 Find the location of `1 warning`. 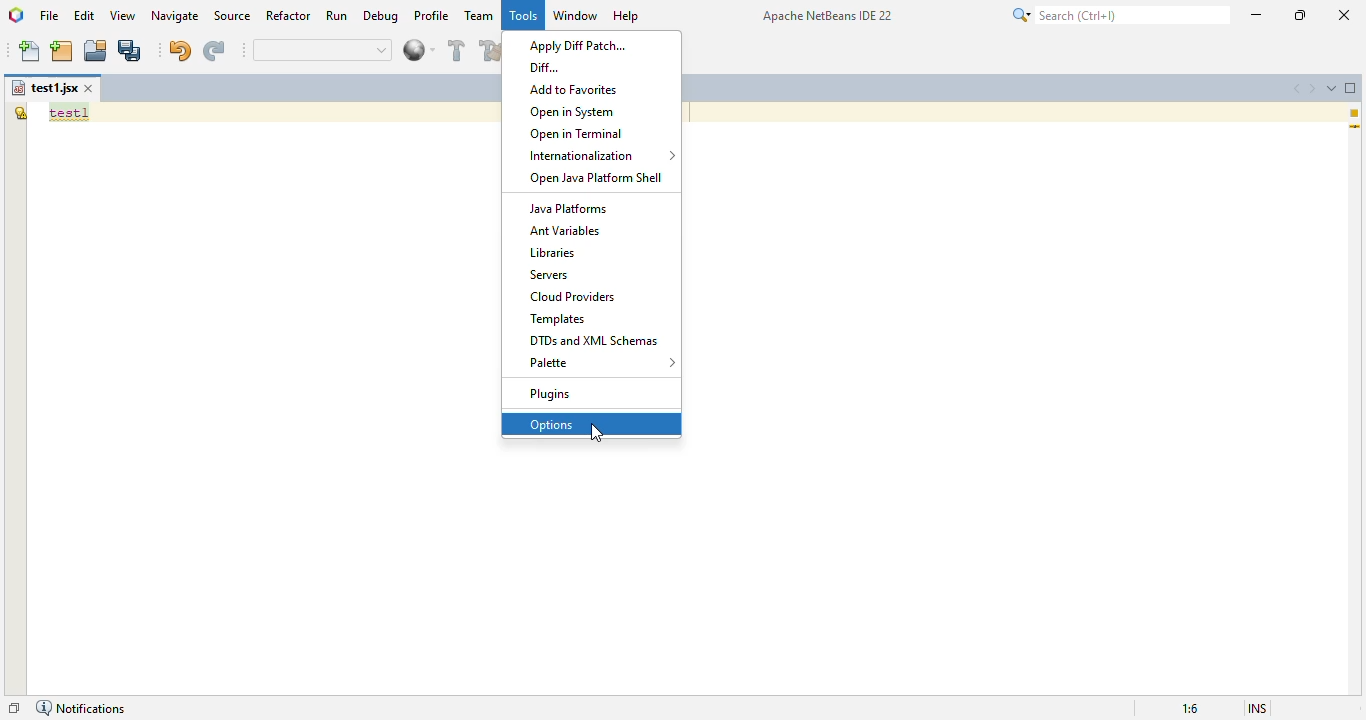

1 warning is located at coordinates (1357, 113).